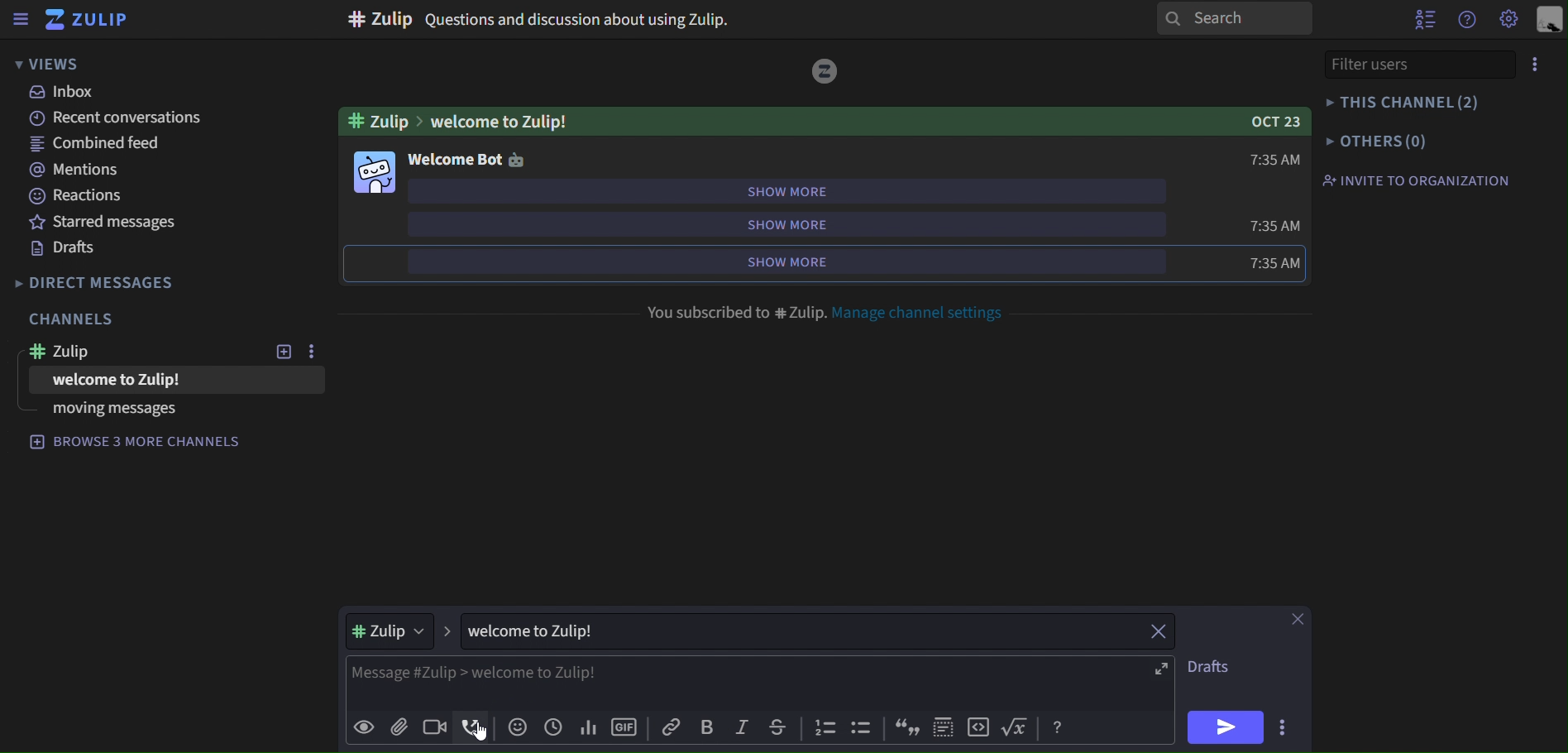 This screenshot has height=753, width=1568. What do you see at coordinates (93, 20) in the screenshot?
I see `zulip` at bounding box center [93, 20].